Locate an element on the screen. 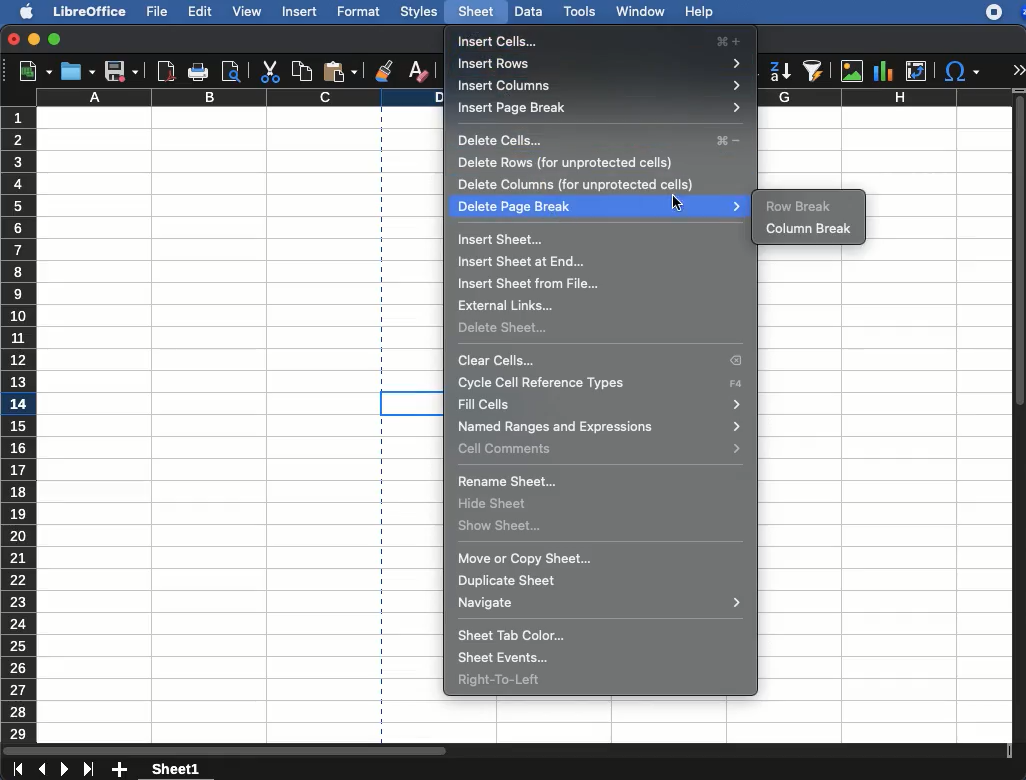 This screenshot has height=780, width=1026. external links is located at coordinates (512, 305).